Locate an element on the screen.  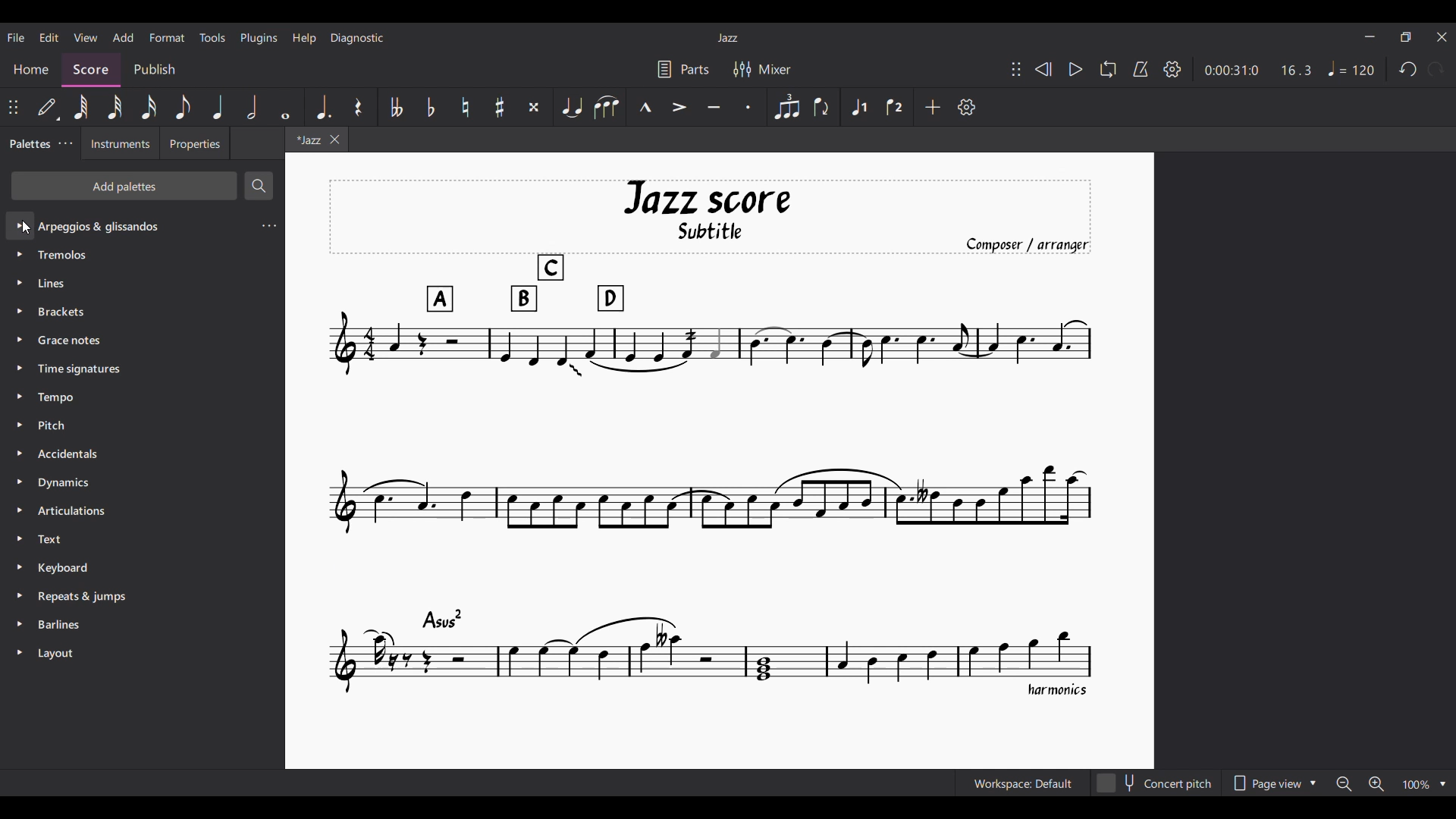
Rewind is located at coordinates (1043, 69).